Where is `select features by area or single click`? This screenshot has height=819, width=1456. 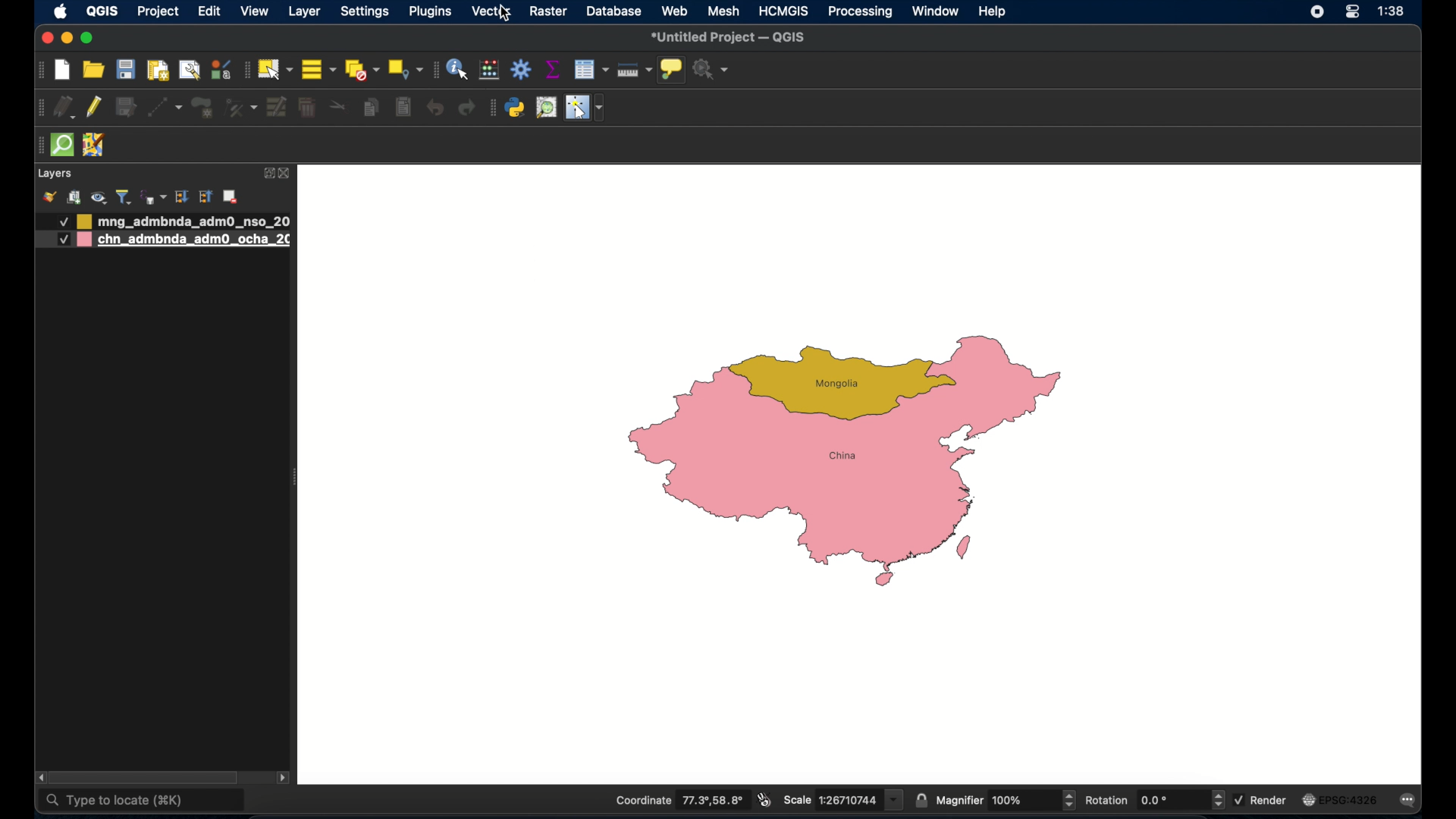 select features by area or single click is located at coordinates (274, 69).